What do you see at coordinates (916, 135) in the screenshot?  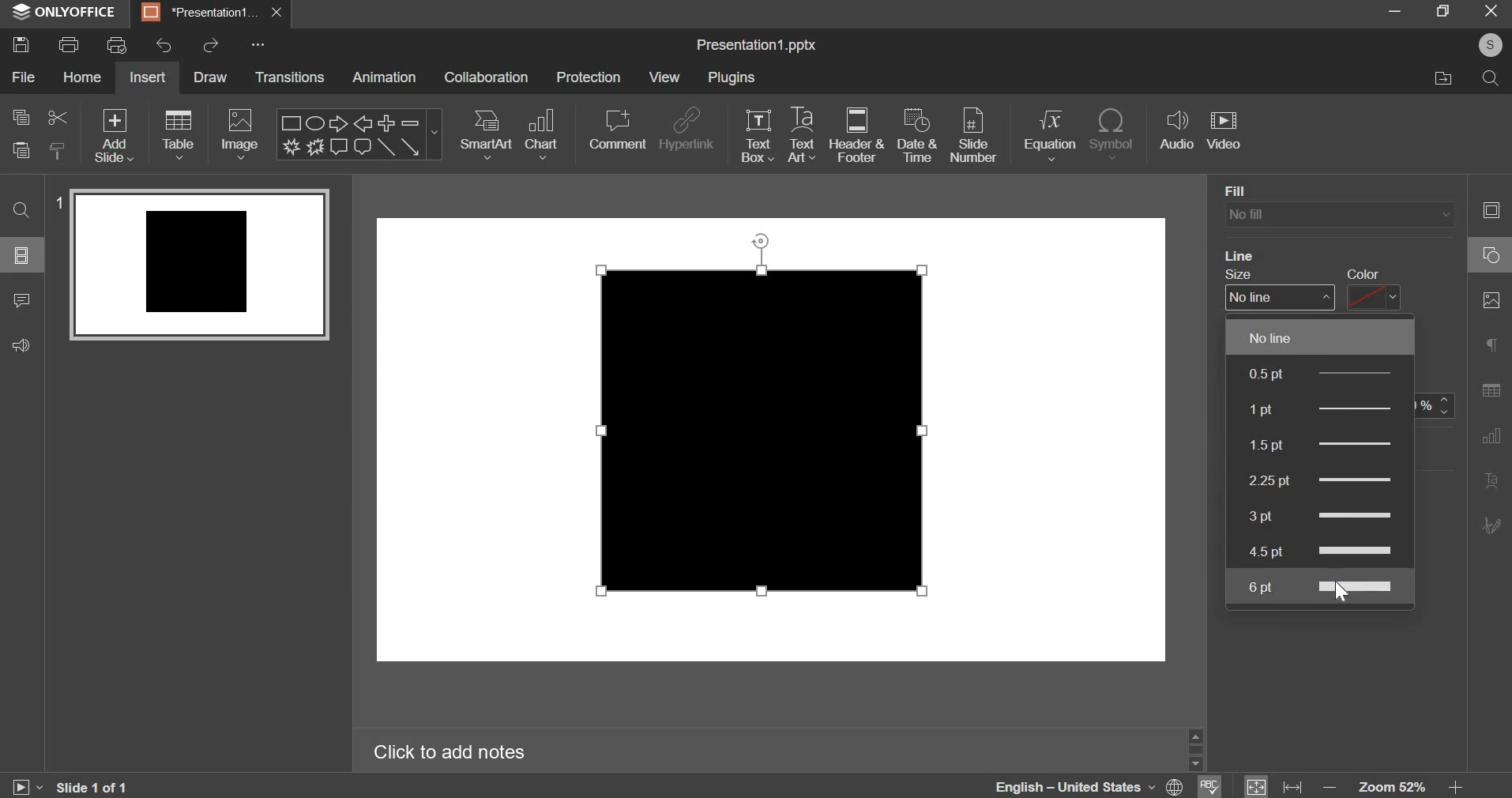 I see `date & time` at bounding box center [916, 135].